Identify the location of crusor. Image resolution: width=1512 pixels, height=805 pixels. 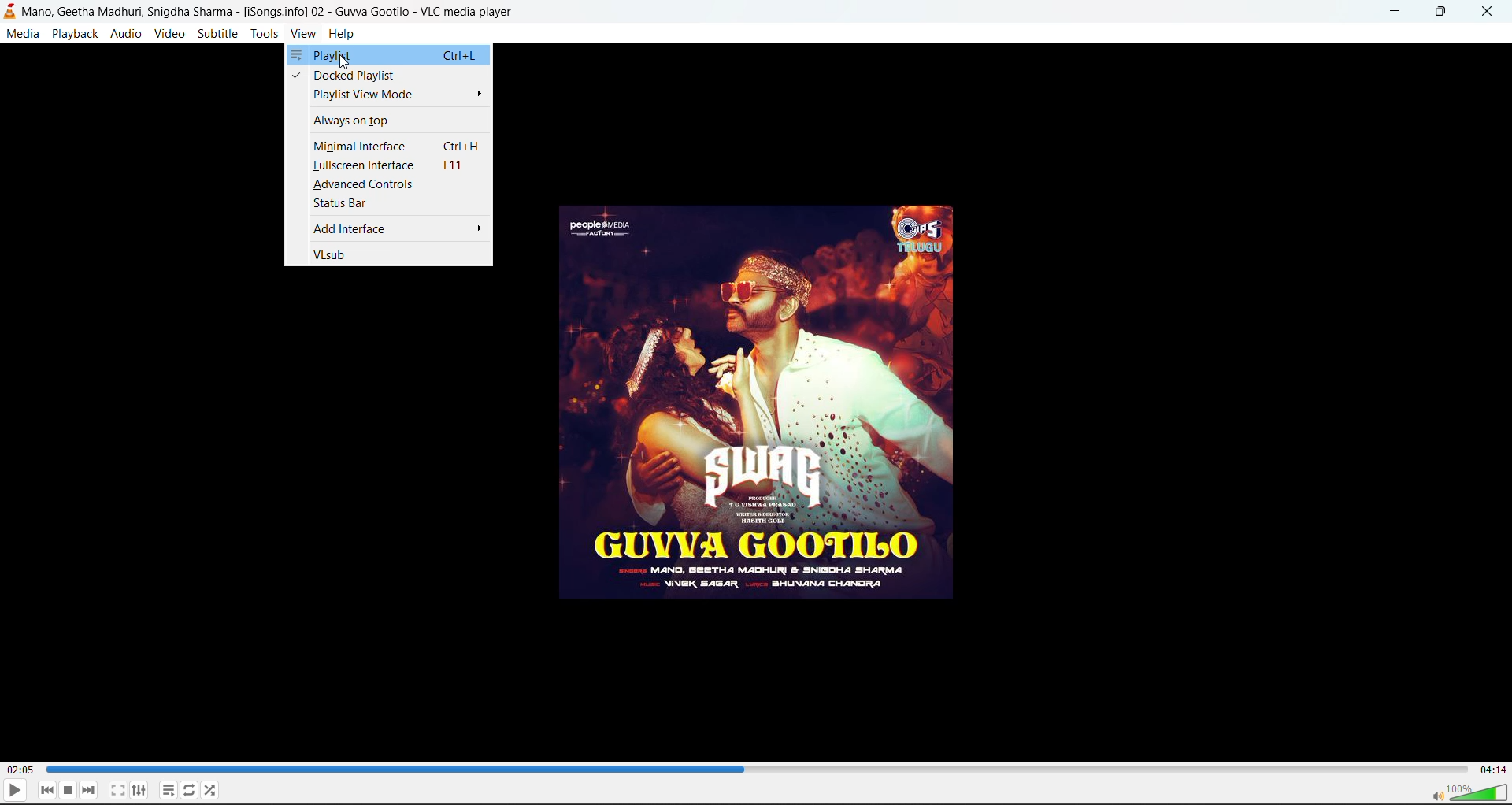
(343, 65).